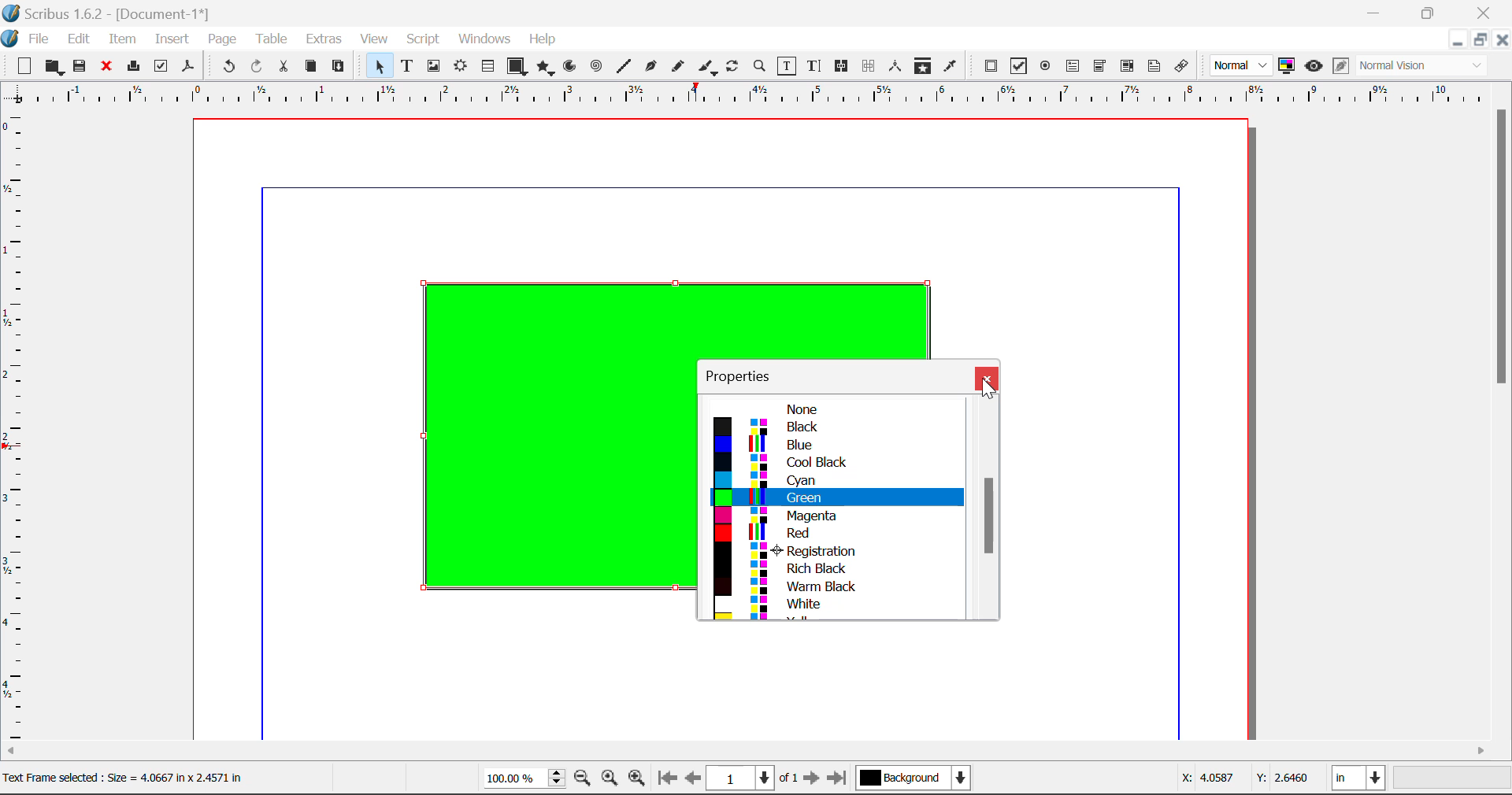 This screenshot has width=1512, height=795. Describe the element at coordinates (813, 67) in the screenshot. I see `Edit Text With Story Editor` at that location.